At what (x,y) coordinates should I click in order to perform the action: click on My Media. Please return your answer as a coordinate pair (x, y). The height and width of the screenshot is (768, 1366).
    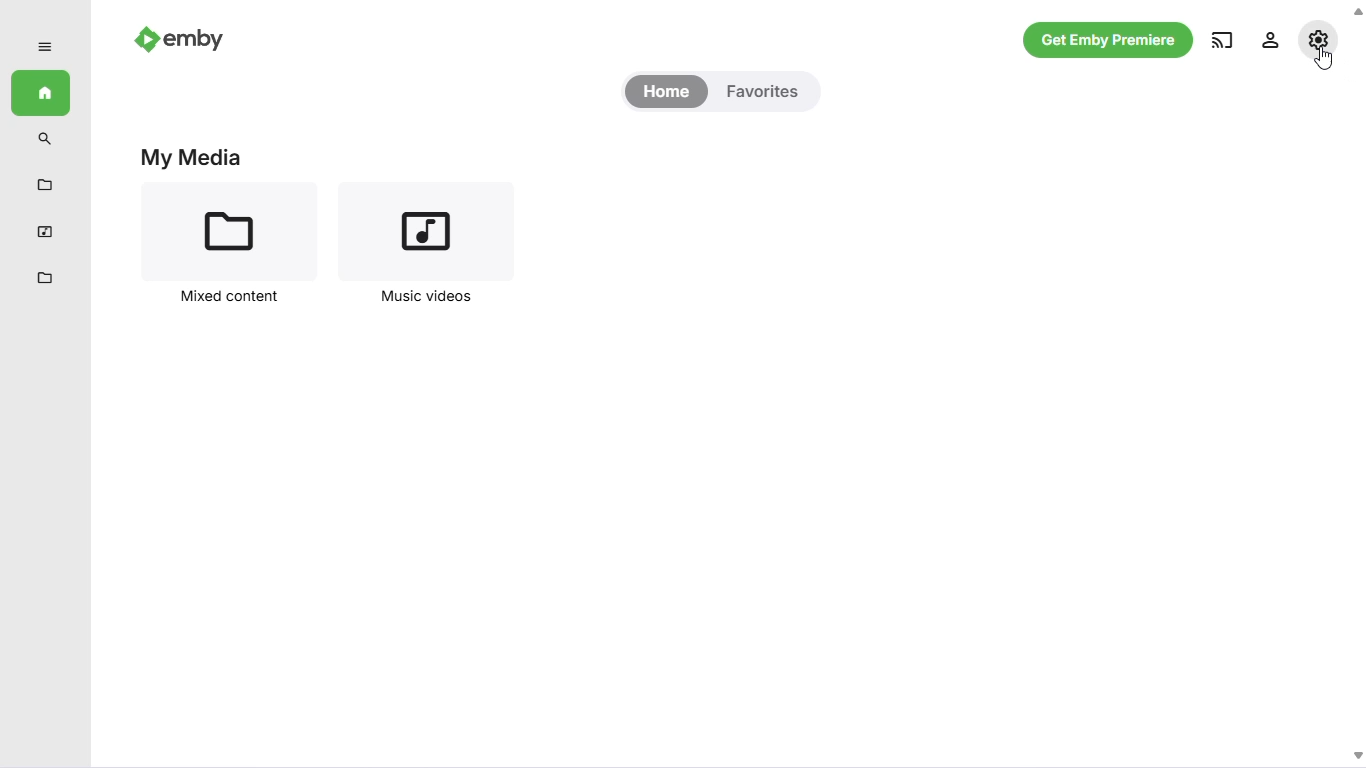
    Looking at the image, I should click on (190, 156).